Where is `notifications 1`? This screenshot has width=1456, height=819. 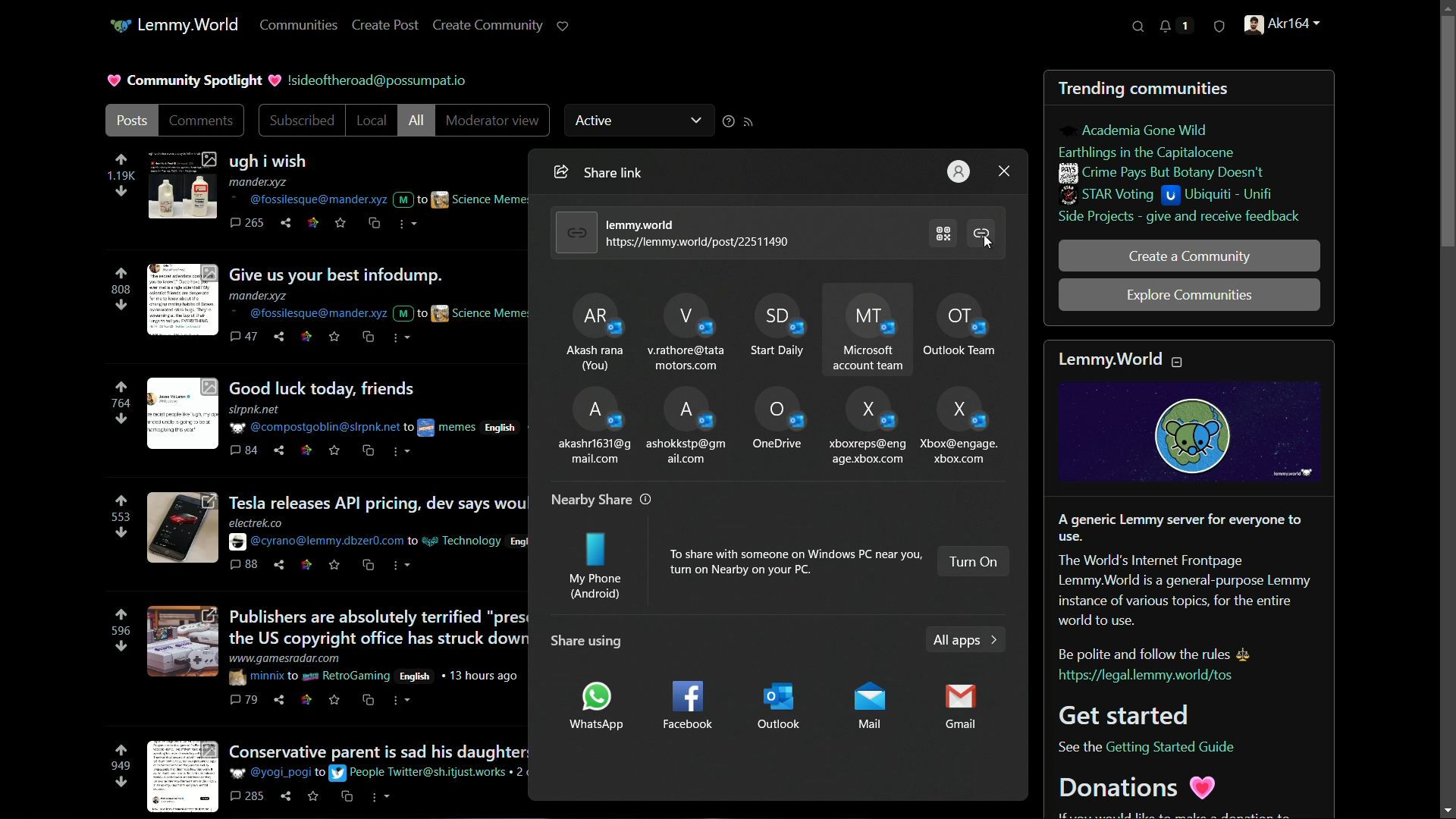 notifications 1 is located at coordinates (1172, 27).